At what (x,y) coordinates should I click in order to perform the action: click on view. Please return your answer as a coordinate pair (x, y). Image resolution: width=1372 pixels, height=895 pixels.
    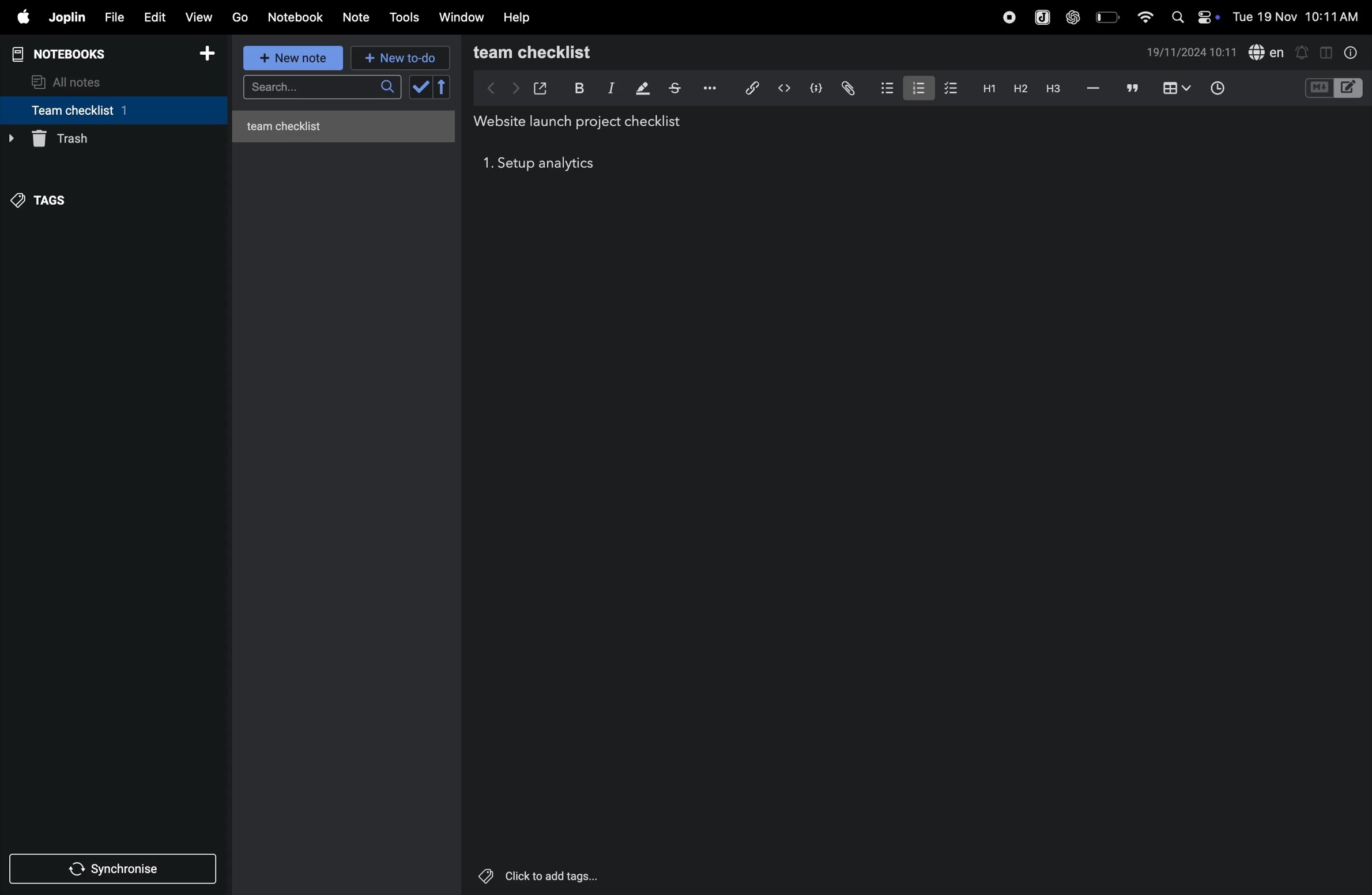
    Looking at the image, I should click on (201, 16).